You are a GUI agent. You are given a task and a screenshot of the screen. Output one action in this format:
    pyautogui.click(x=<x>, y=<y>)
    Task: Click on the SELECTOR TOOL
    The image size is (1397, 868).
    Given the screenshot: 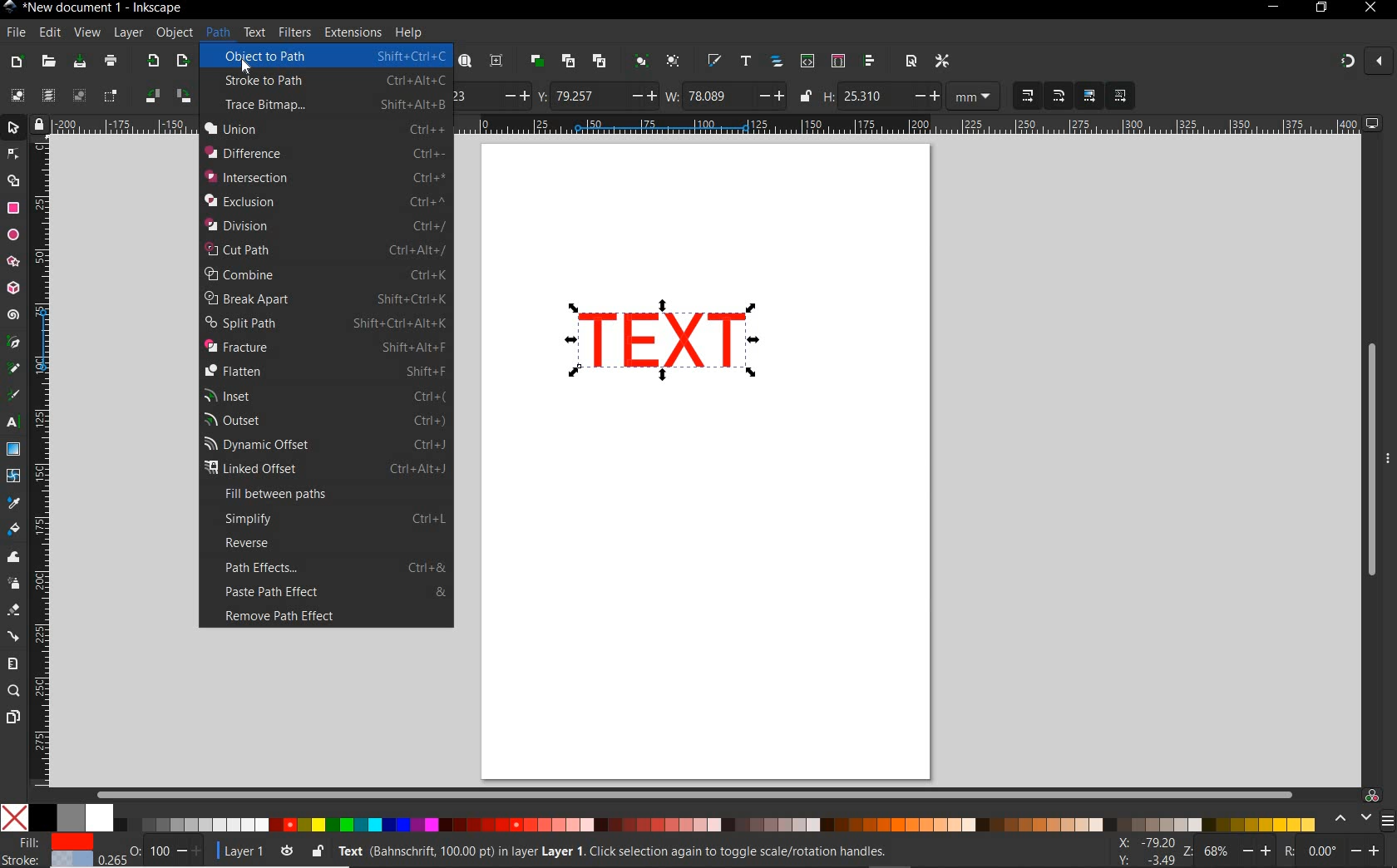 What is the action you would take?
    pyautogui.click(x=14, y=170)
    